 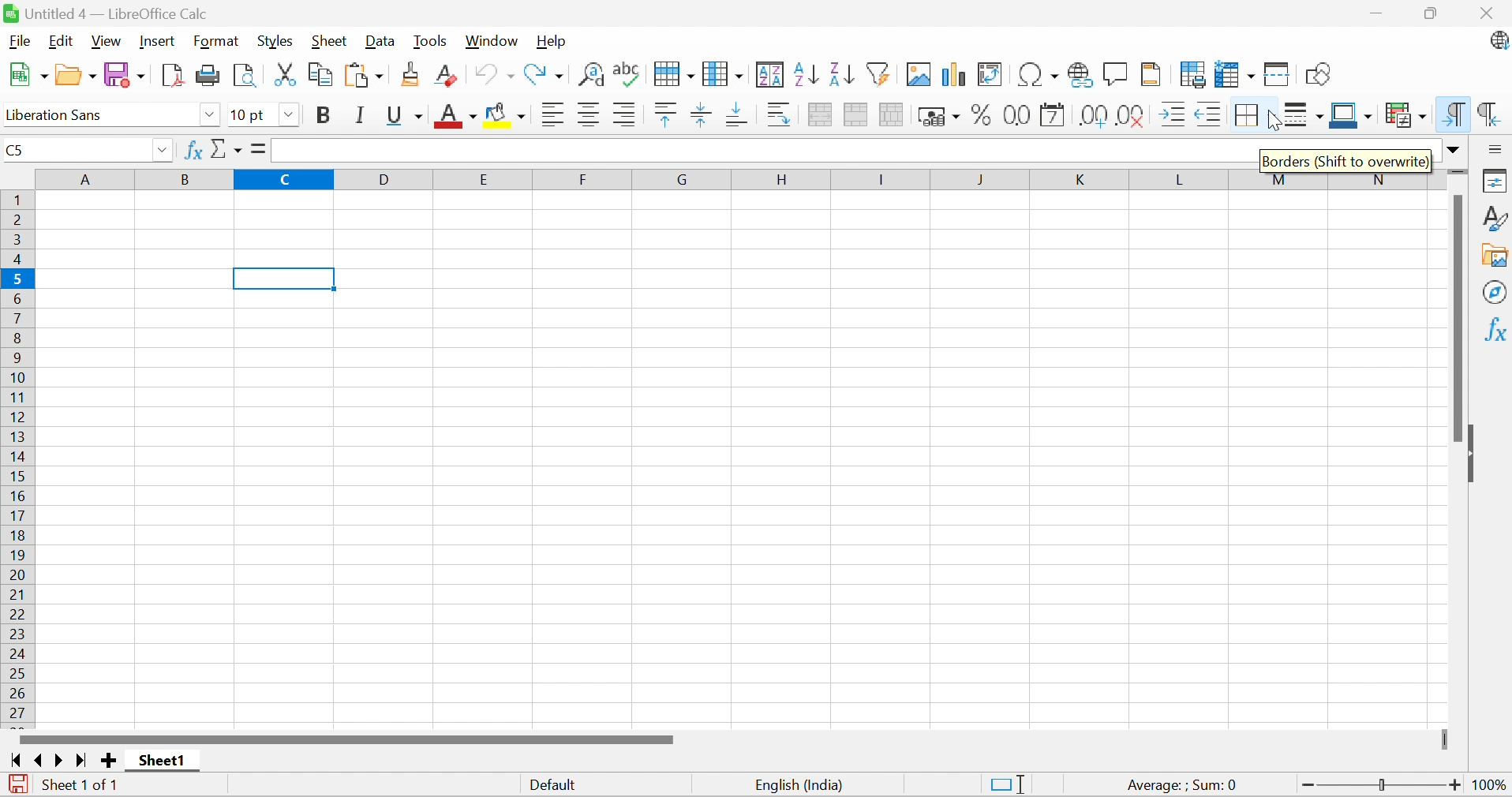 I want to click on Redo, so click(x=543, y=77).